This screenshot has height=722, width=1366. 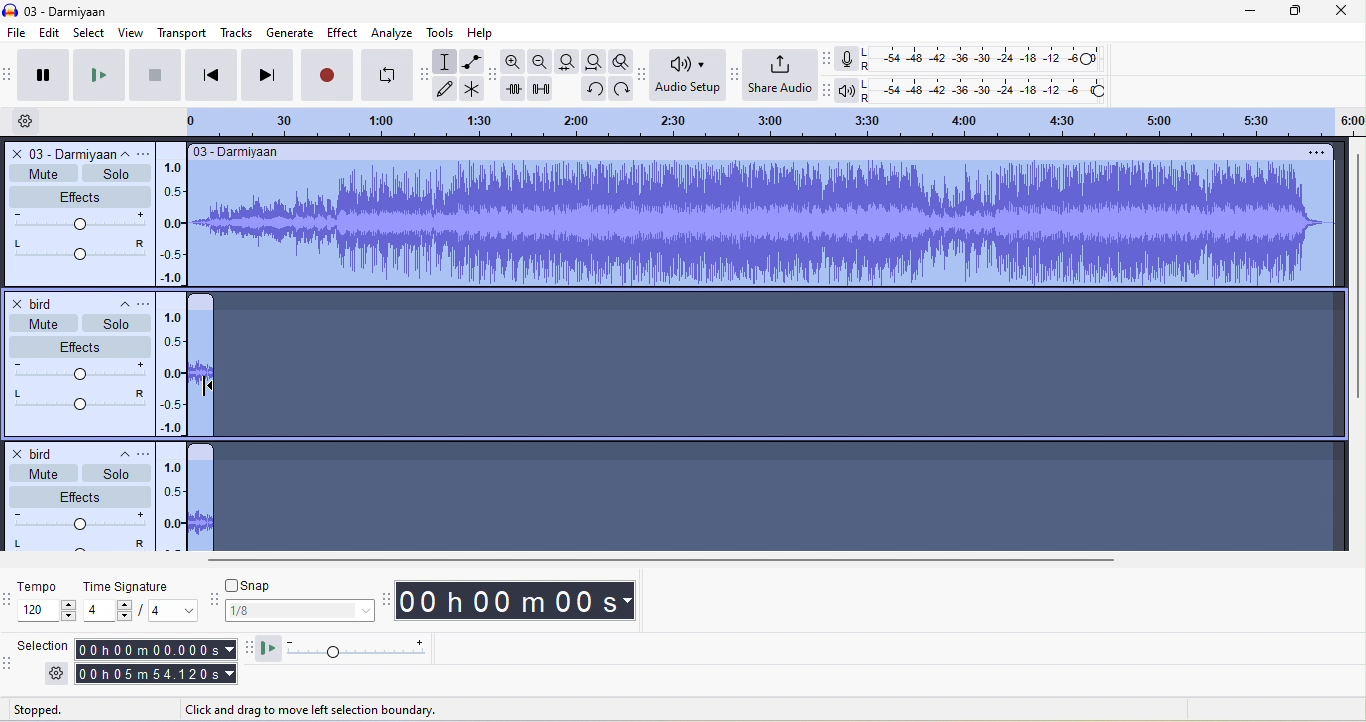 I want to click on effect, so click(x=78, y=198).